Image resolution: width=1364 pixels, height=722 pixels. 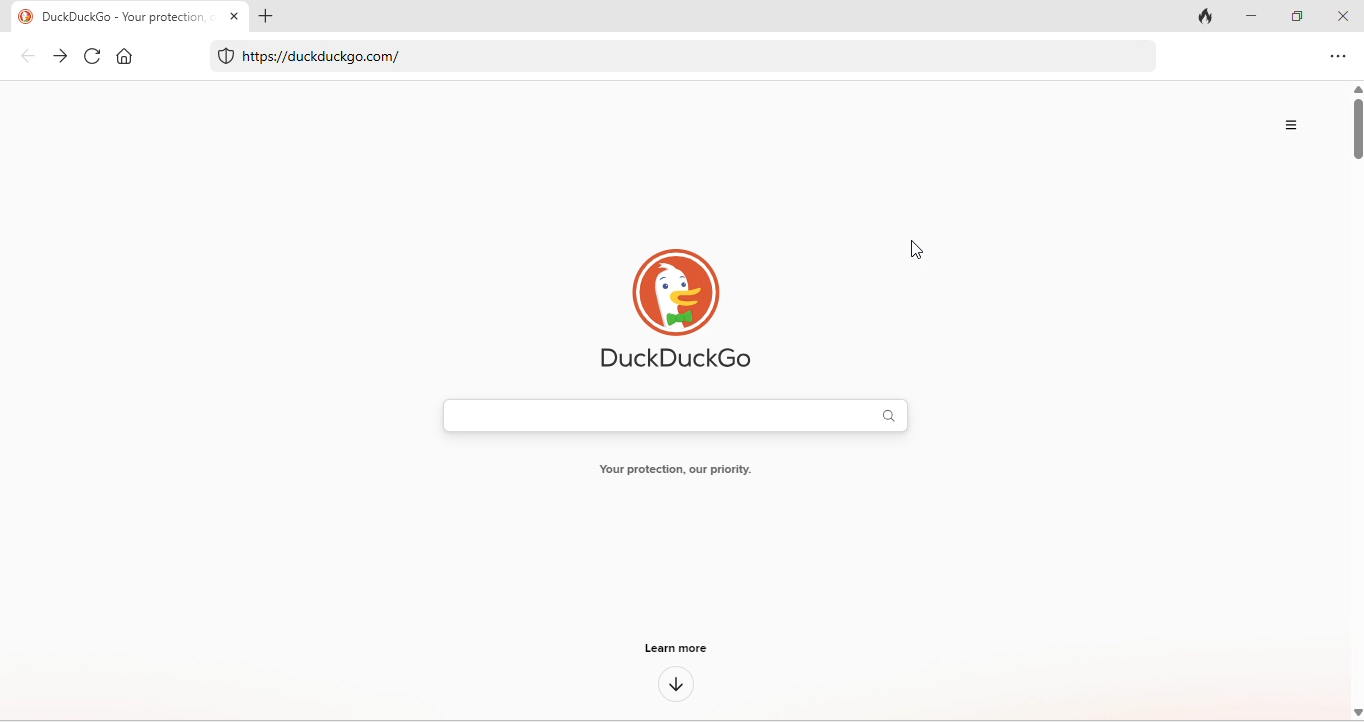 What do you see at coordinates (19, 56) in the screenshot?
I see `back` at bounding box center [19, 56].